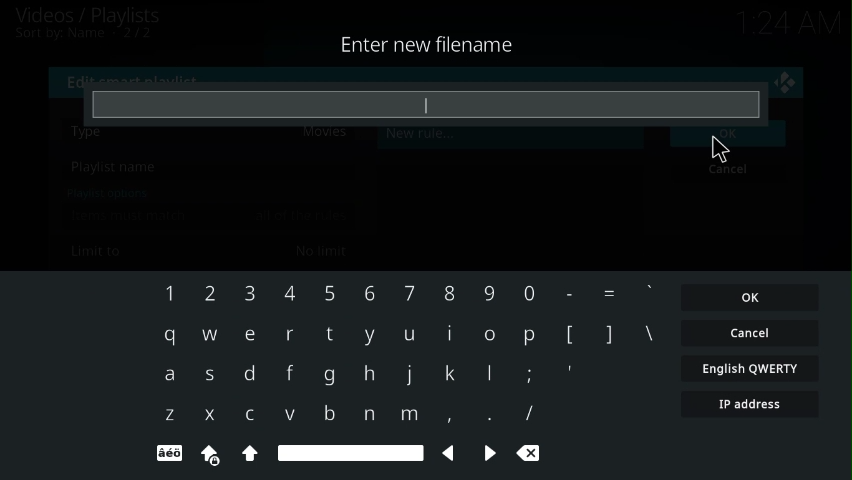 Image resolution: width=852 pixels, height=480 pixels. Describe the element at coordinates (648, 292) in the screenshot. I see ``` at that location.